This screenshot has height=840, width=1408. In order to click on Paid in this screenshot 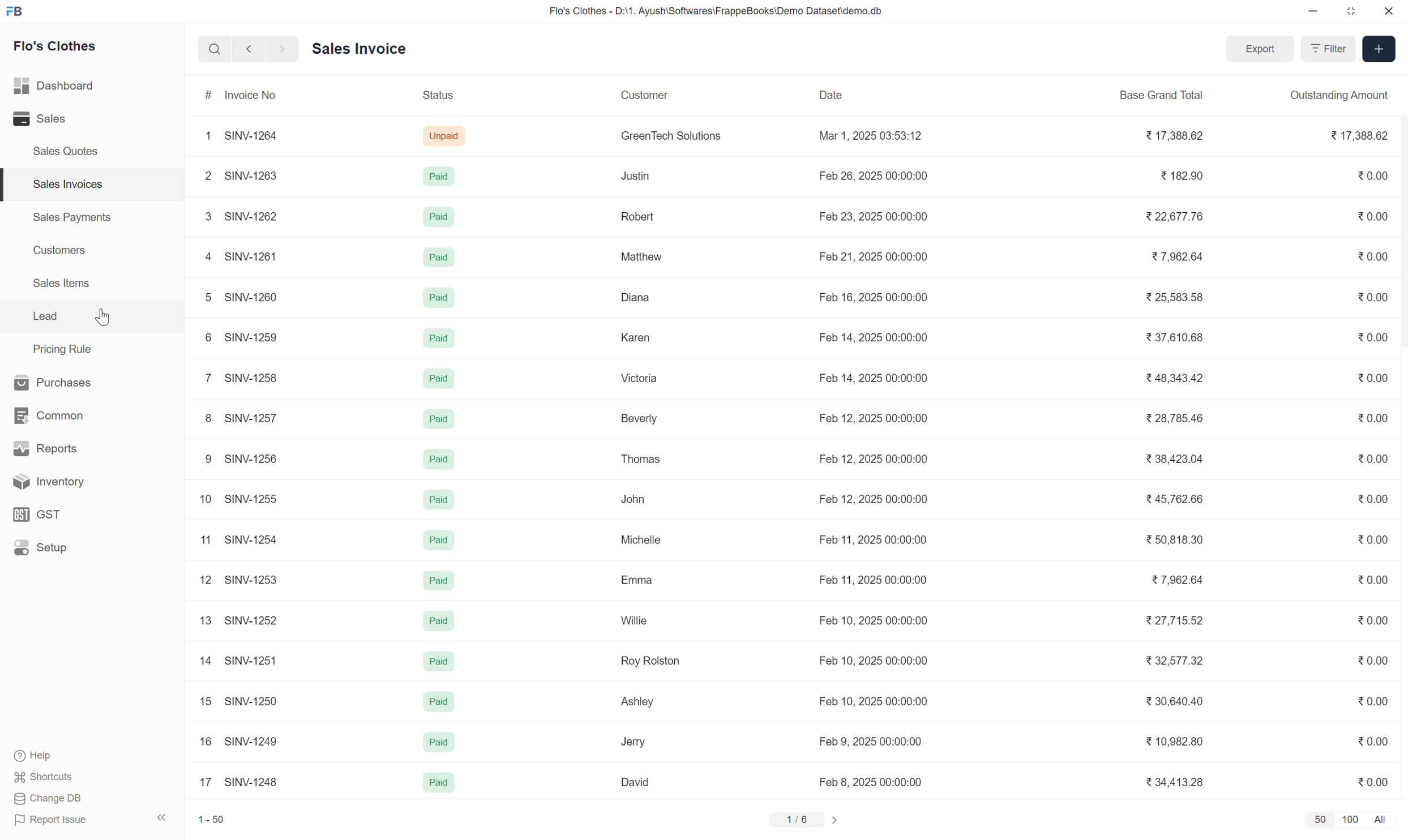, I will do `click(439, 379)`.